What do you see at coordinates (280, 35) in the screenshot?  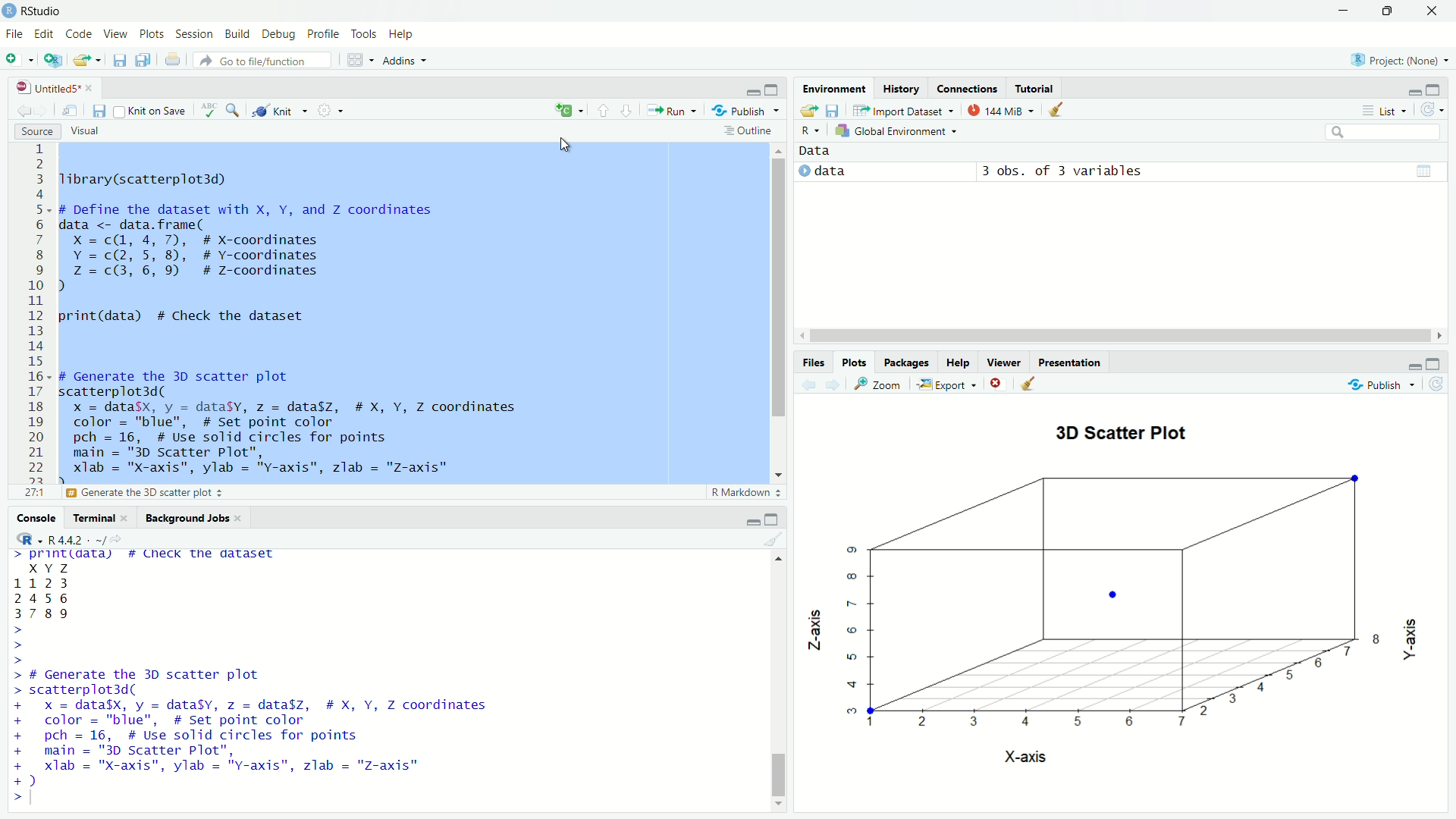 I see `debug` at bounding box center [280, 35].